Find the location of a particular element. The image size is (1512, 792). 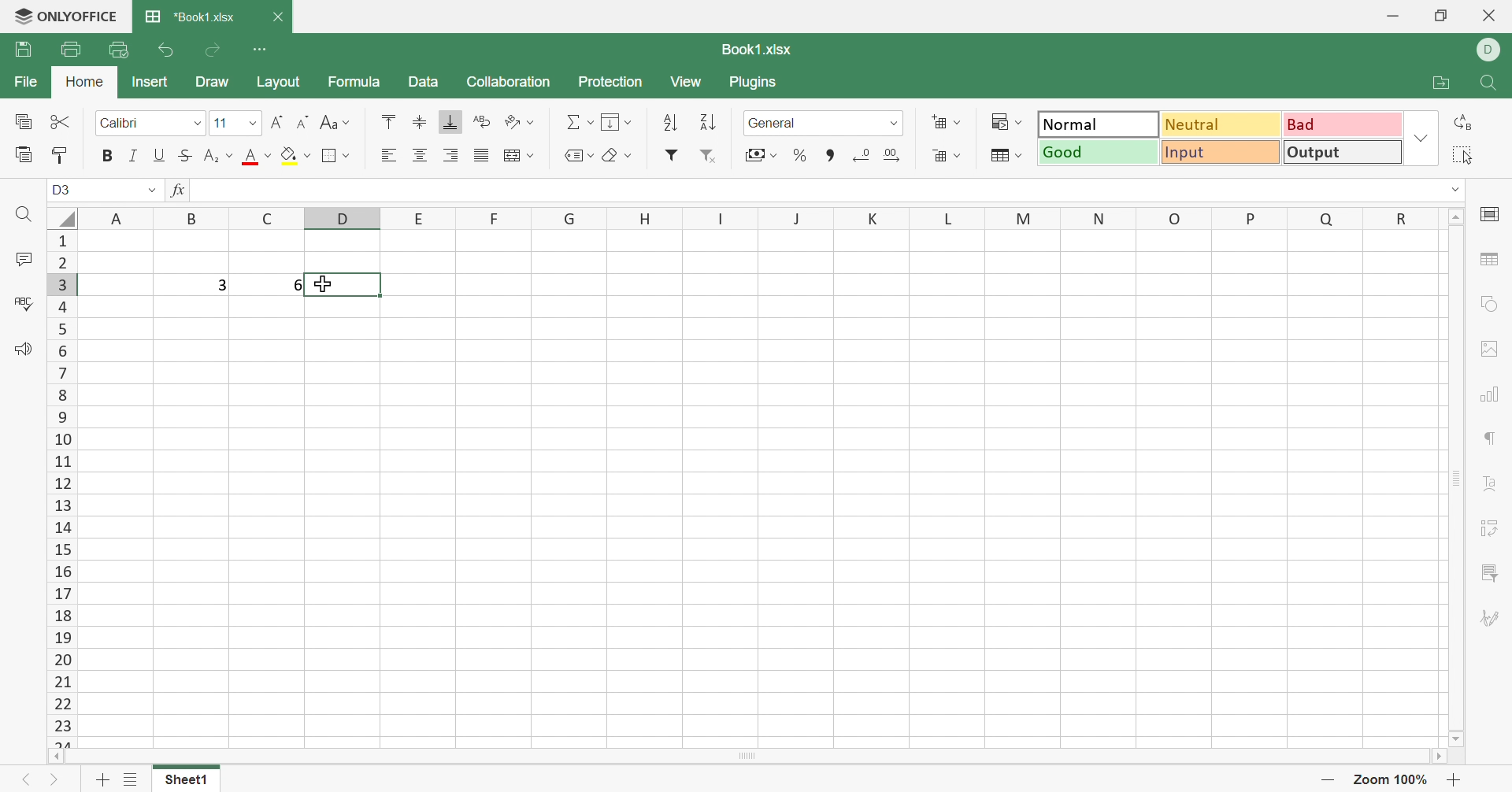

Font is located at coordinates (150, 122).